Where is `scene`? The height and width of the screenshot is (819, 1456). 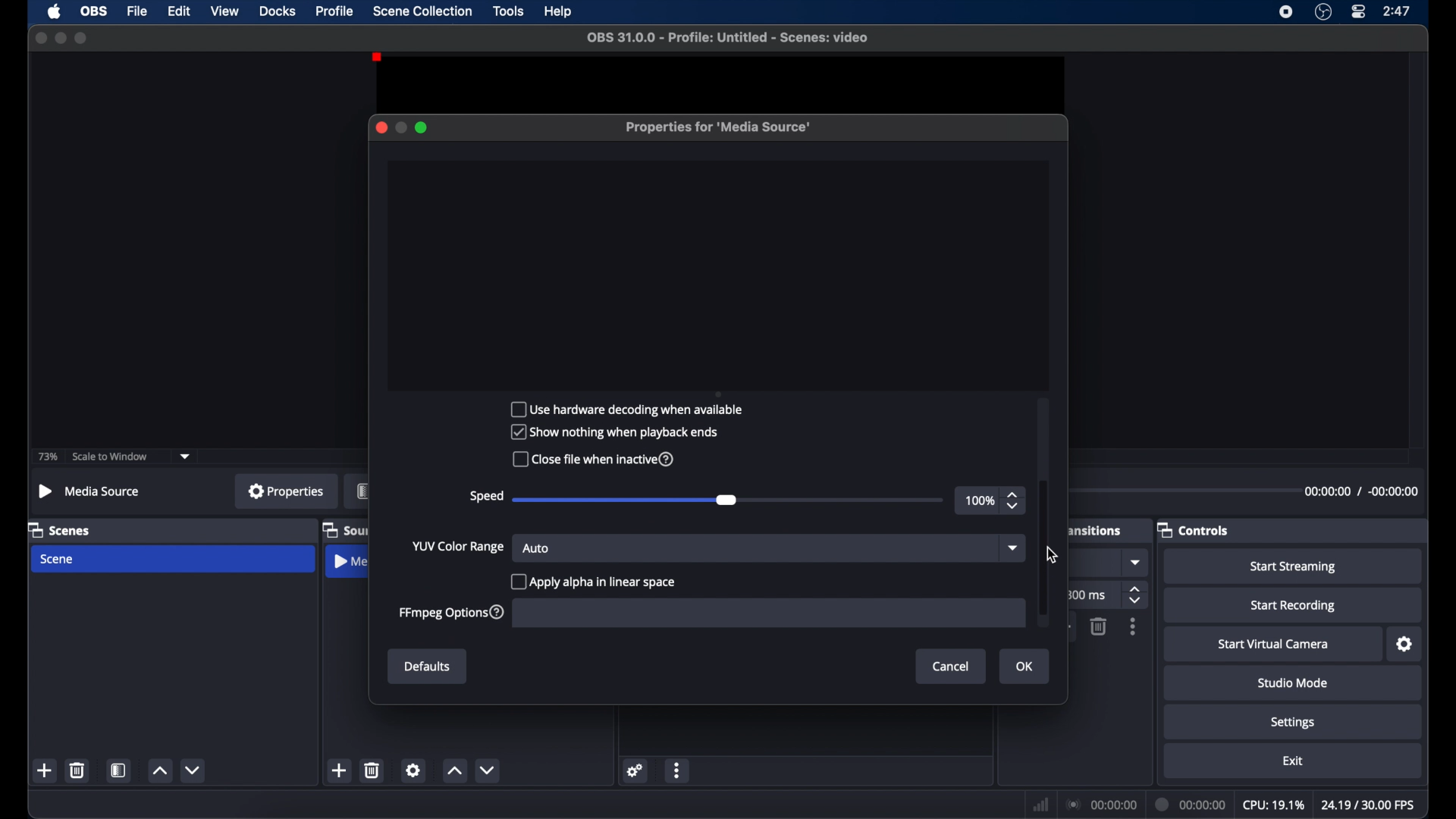
scene is located at coordinates (58, 559).